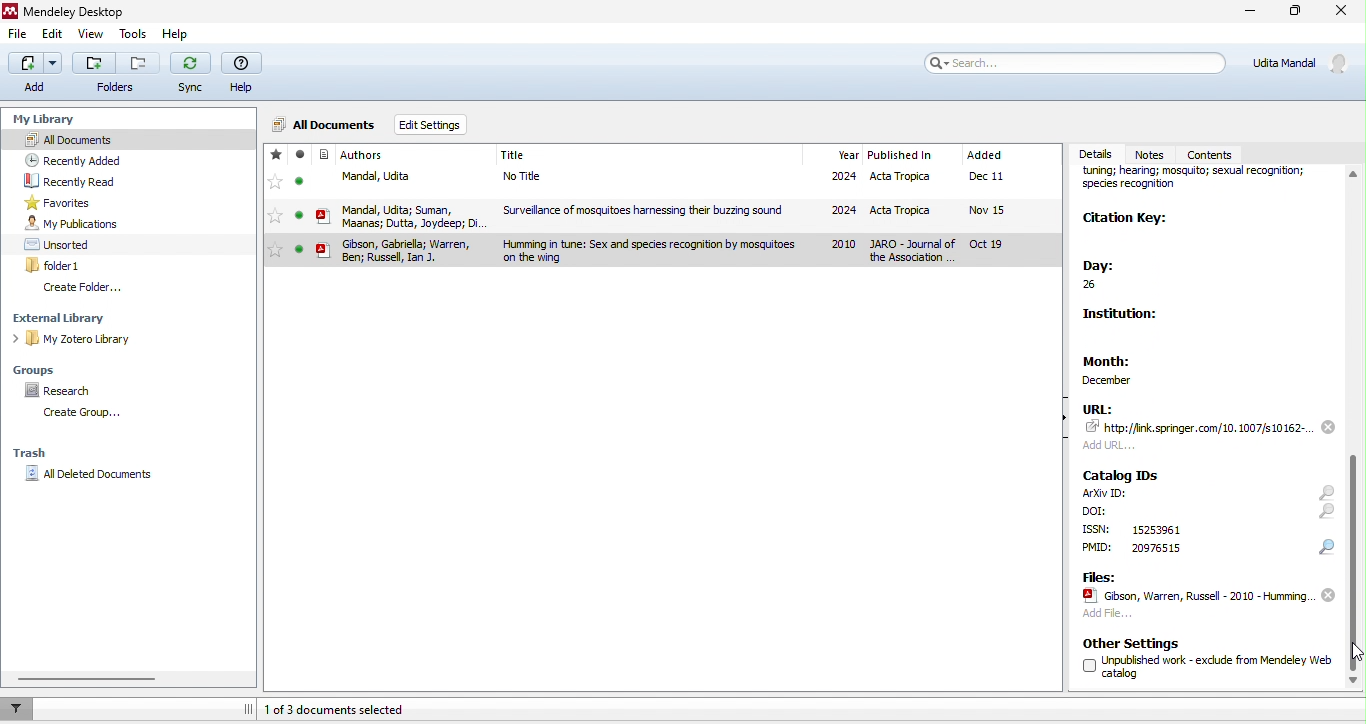  Describe the element at coordinates (1098, 548) in the screenshot. I see `text` at that location.